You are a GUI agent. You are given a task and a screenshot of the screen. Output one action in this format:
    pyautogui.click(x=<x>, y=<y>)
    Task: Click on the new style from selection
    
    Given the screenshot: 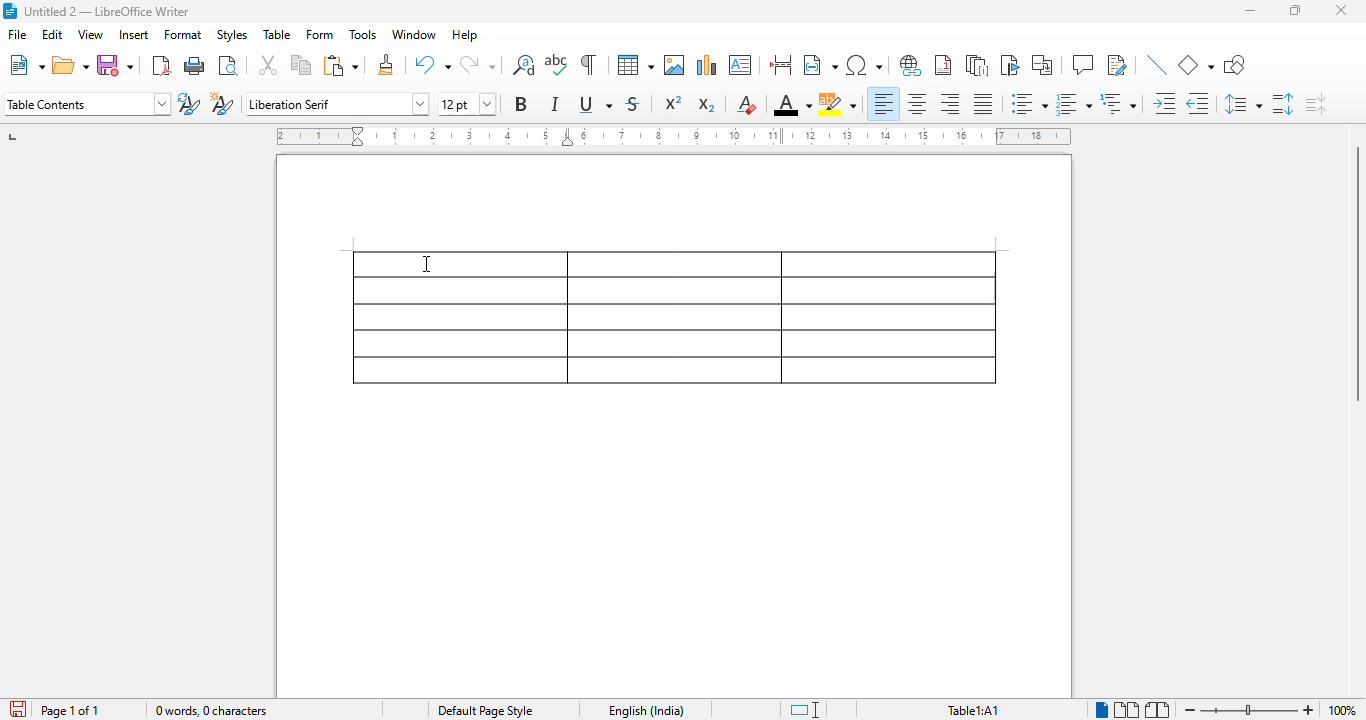 What is the action you would take?
    pyautogui.click(x=223, y=103)
    